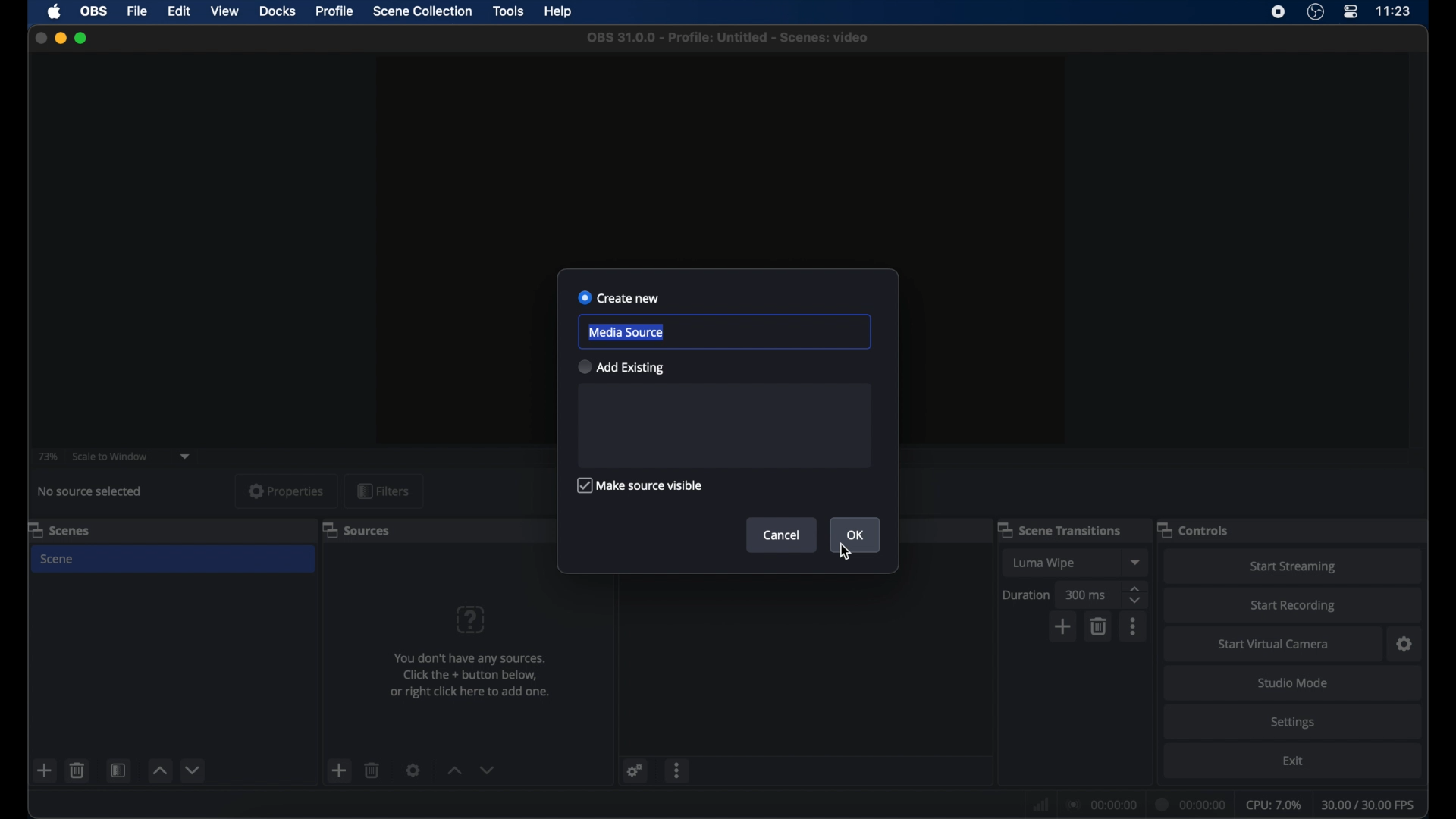  Describe the element at coordinates (623, 367) in the screenshot. I see `add existing` at that location.